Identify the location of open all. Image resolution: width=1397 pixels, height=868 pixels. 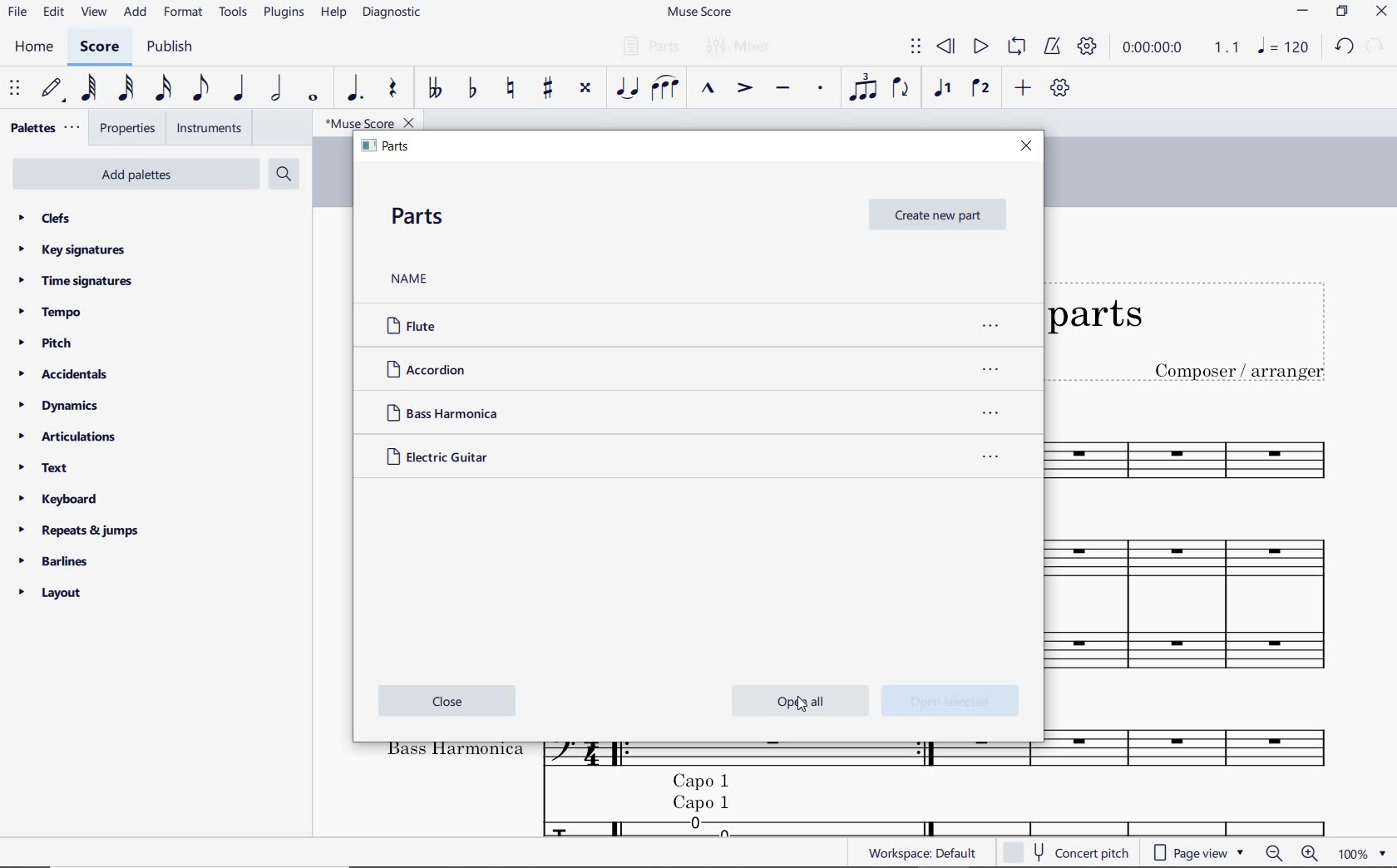
(800, 701).